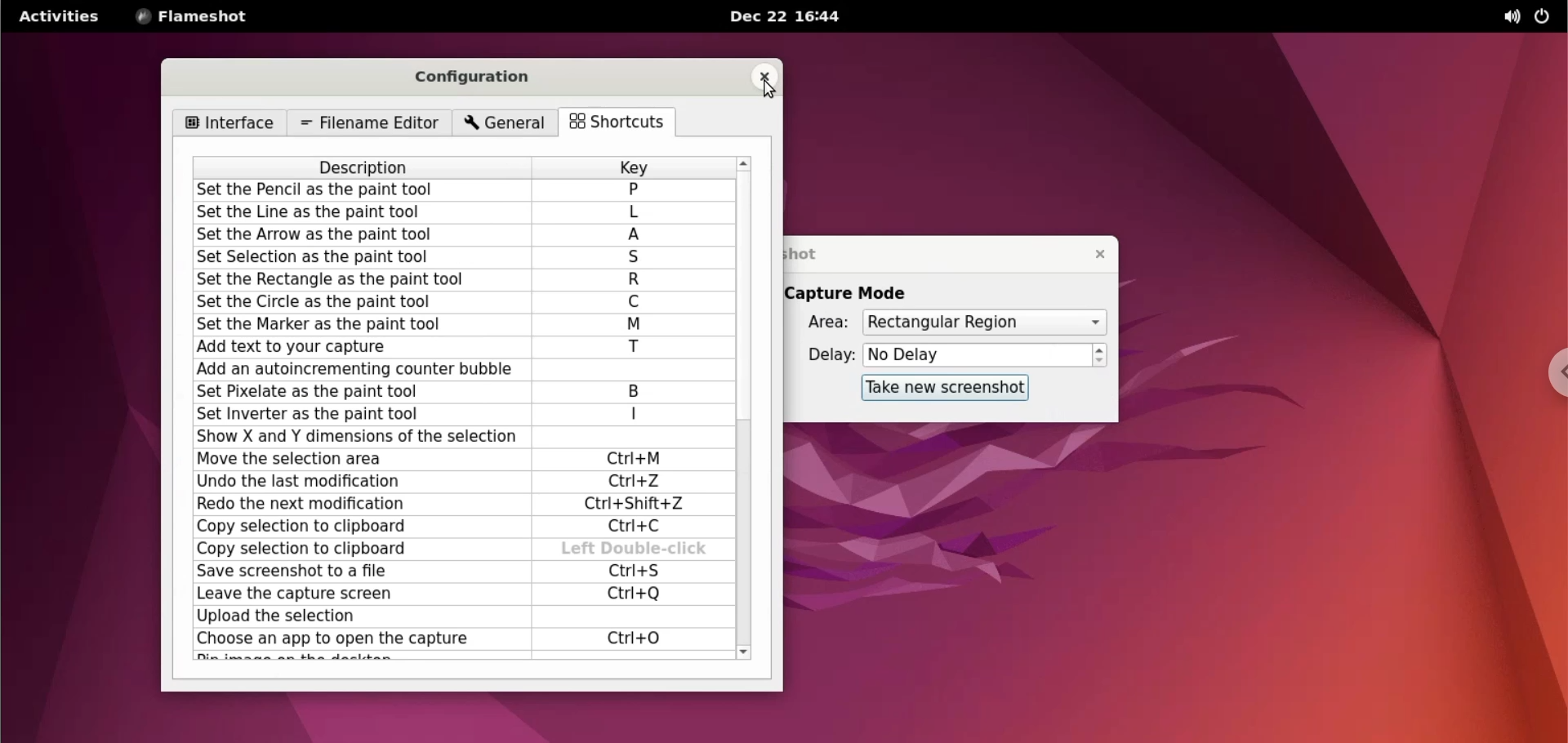 This screenshot has height=743, width=1568. Describe the element at coordinates (360, 301) in the screenshot. I see `set the circle as the paint tool` at that location.